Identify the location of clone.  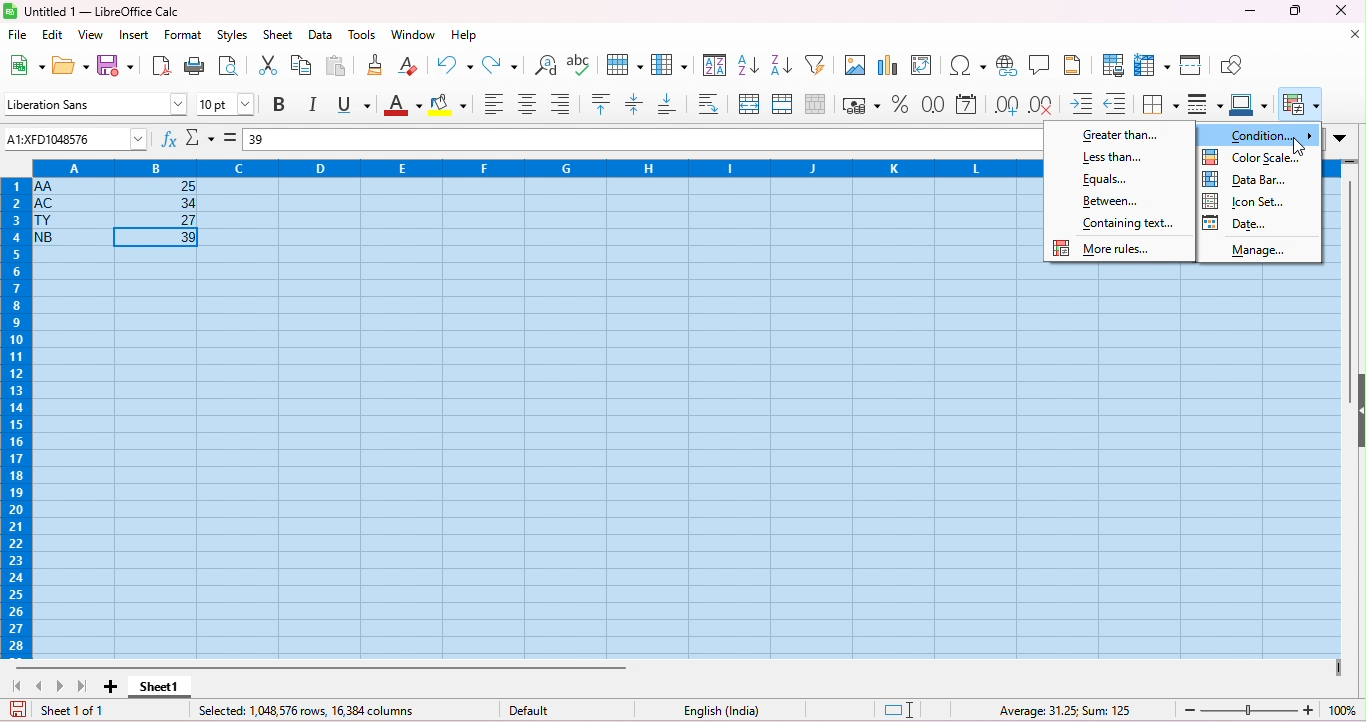
(377, 64).